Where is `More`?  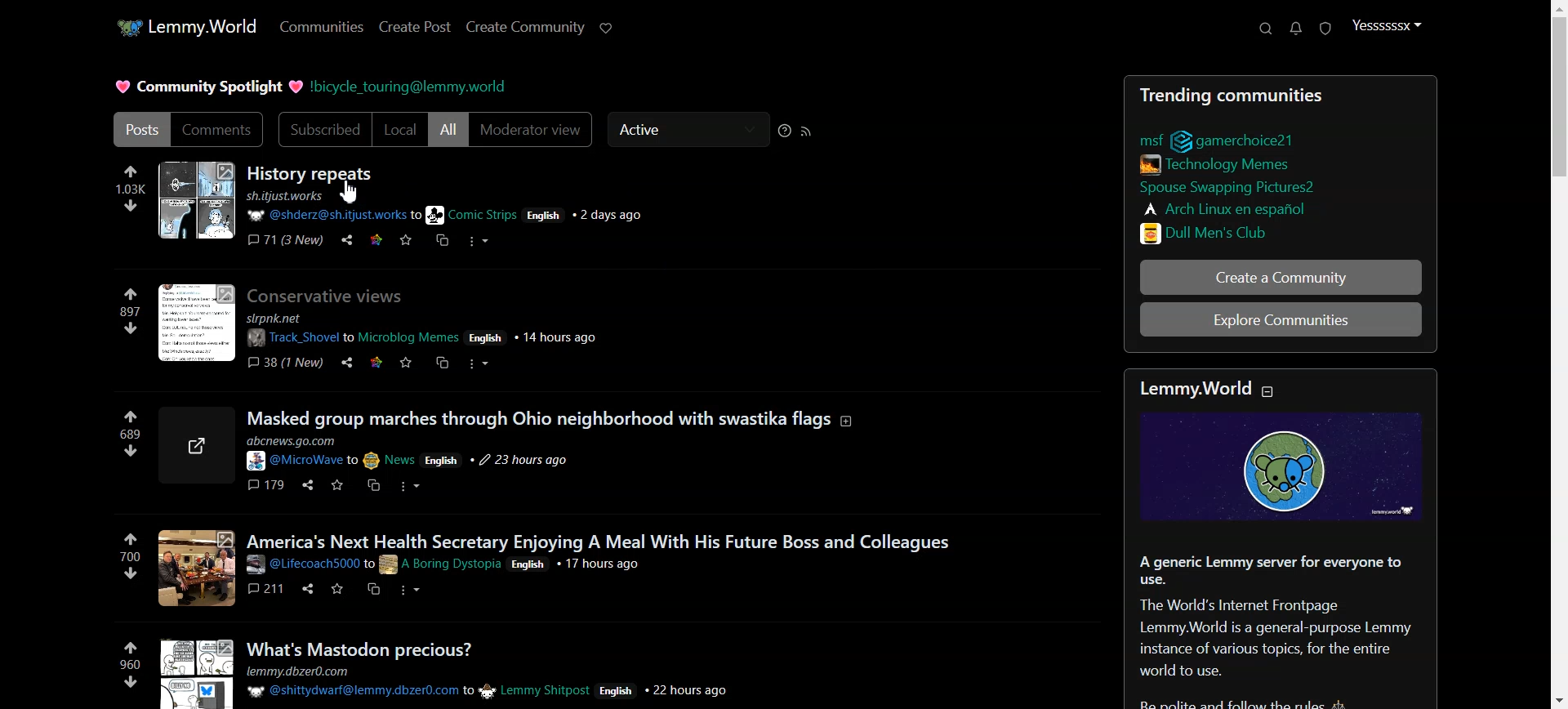 More is located at coordinates (478, 363).